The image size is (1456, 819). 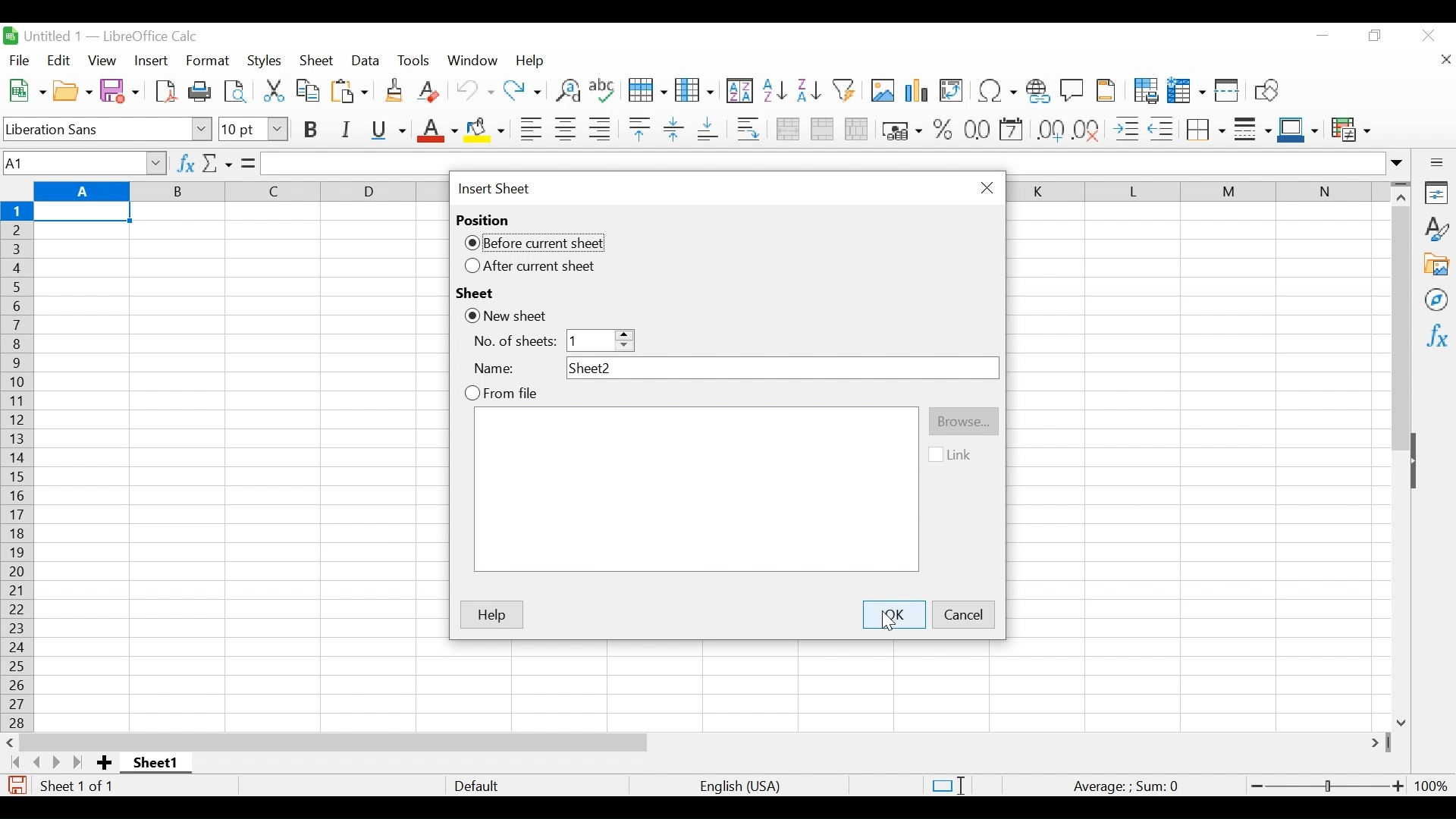 I want to click on Edit, so click(x=58, y=60).